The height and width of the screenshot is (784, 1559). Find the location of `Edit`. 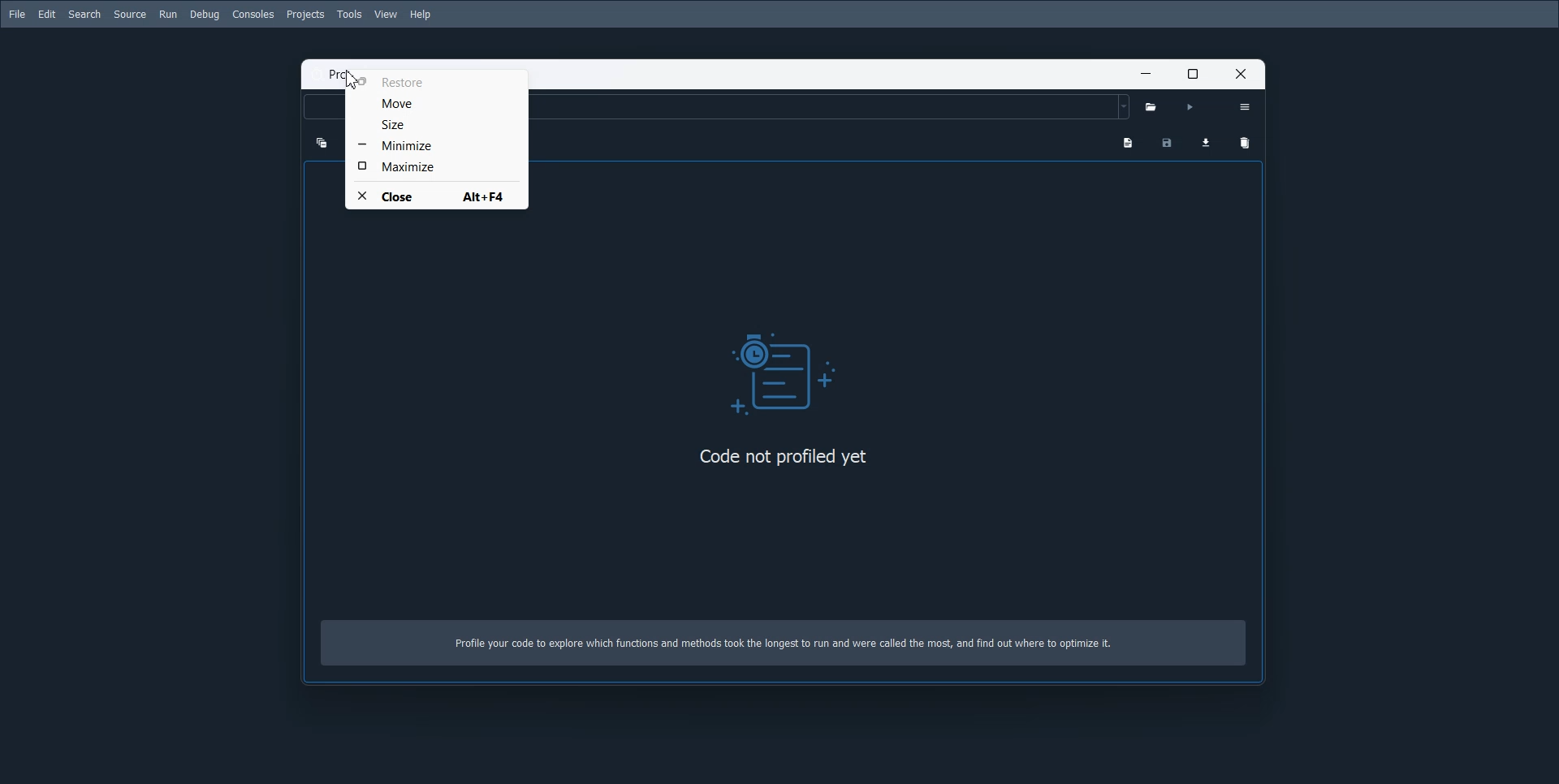

Edit is located at coordinates (47, 14).